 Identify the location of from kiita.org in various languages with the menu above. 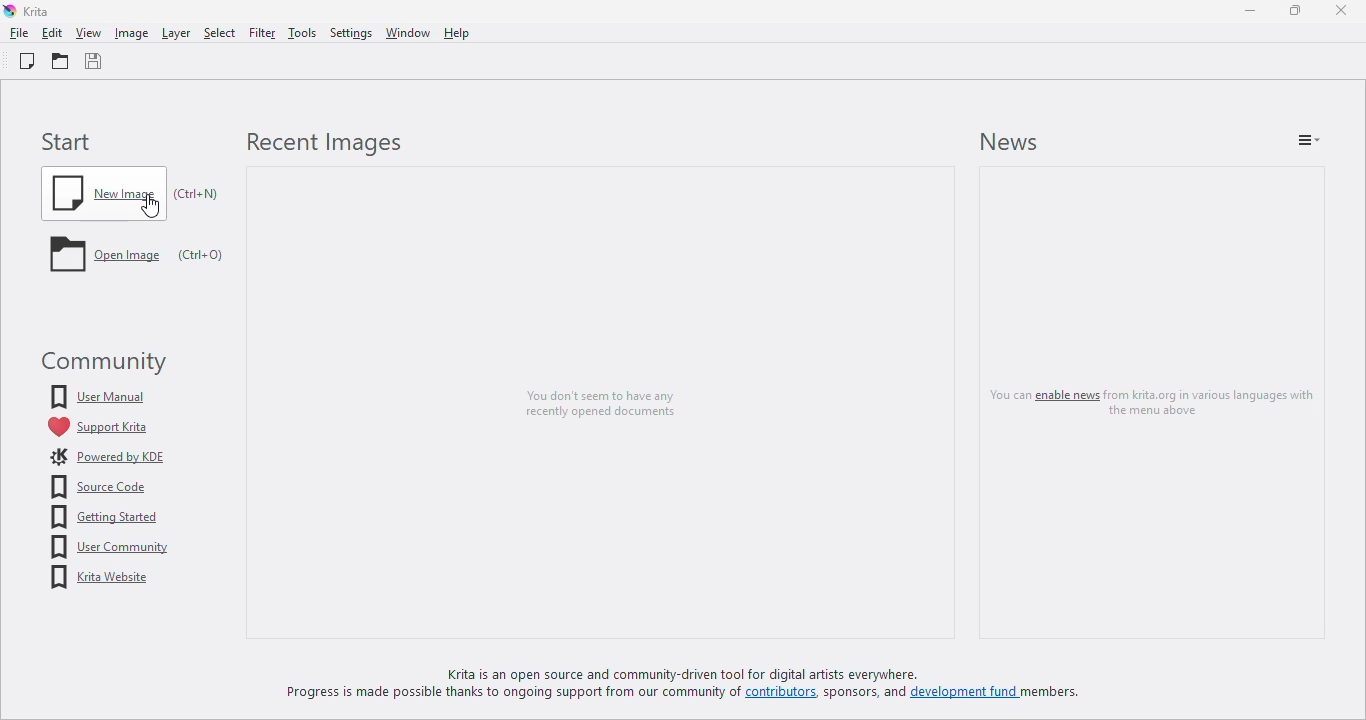
(1215, 402).